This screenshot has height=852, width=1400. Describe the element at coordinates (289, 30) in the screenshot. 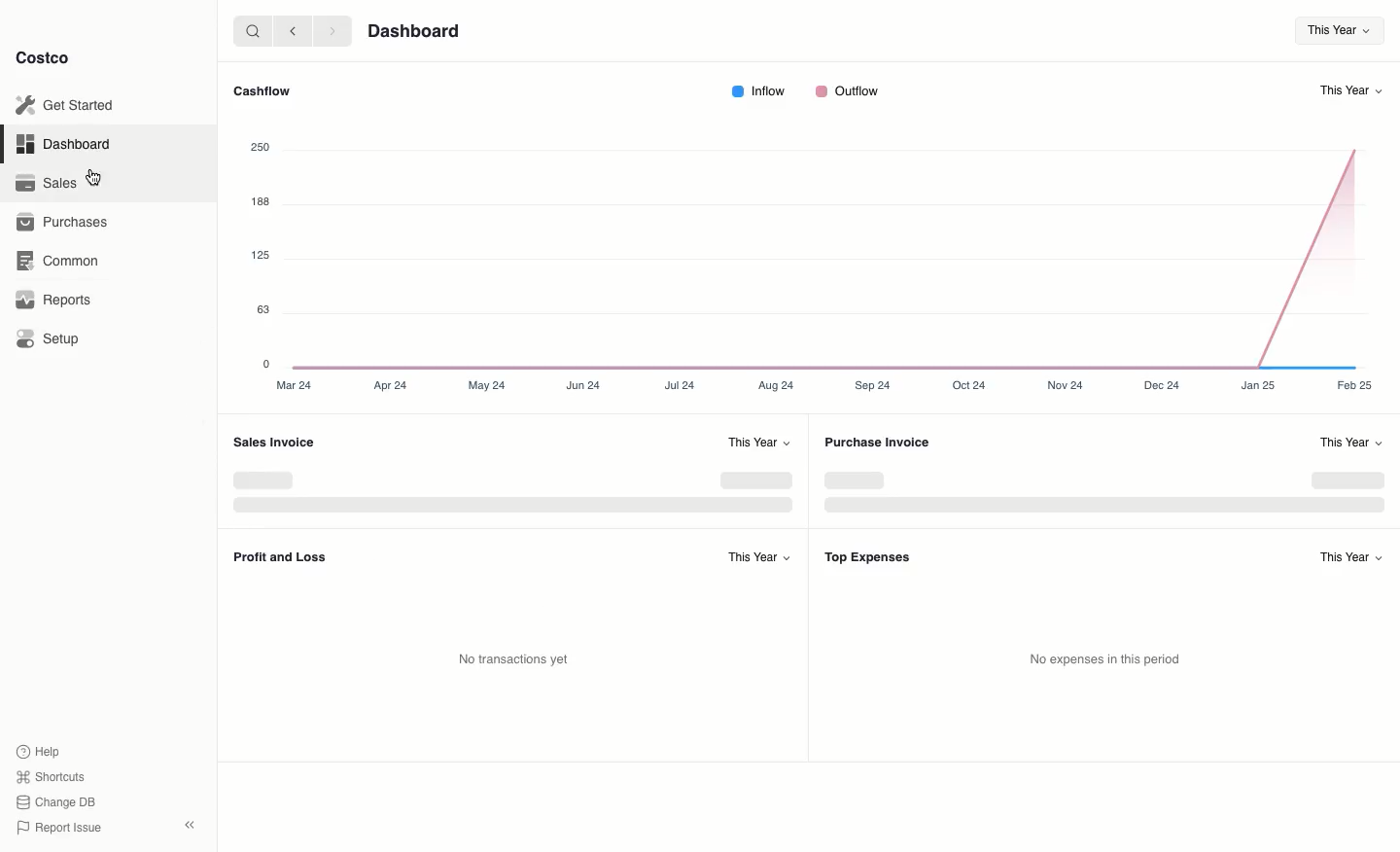

I see `backward` at that location.